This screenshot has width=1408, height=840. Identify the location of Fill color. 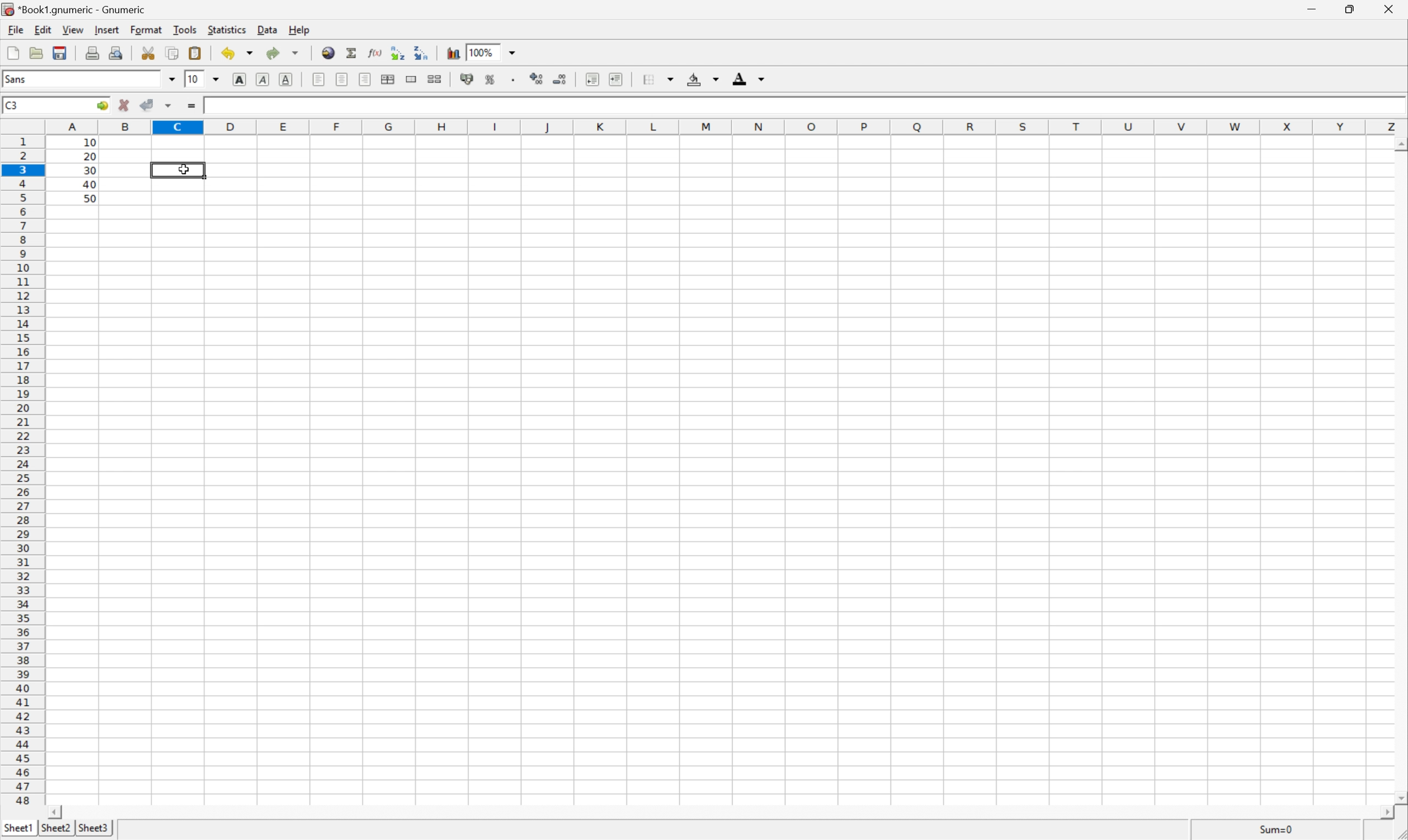
(692, 79).